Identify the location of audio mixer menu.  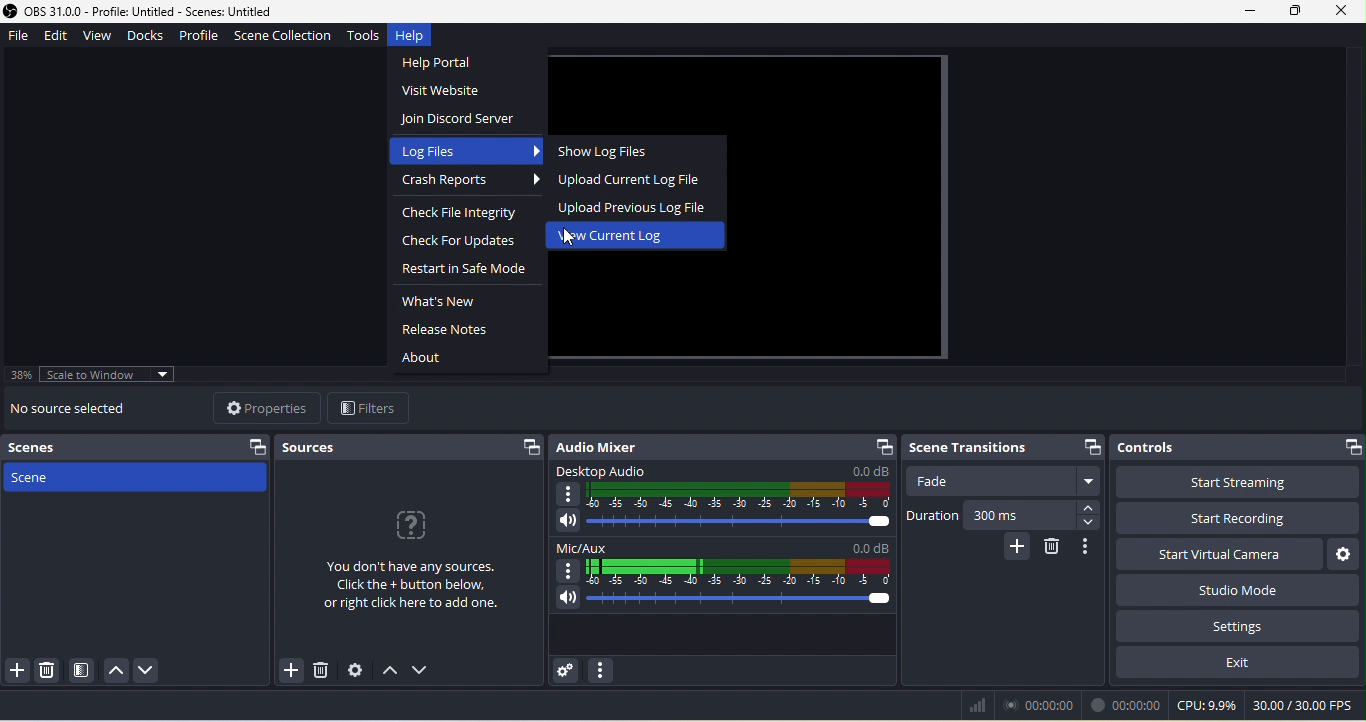
(602, 671).